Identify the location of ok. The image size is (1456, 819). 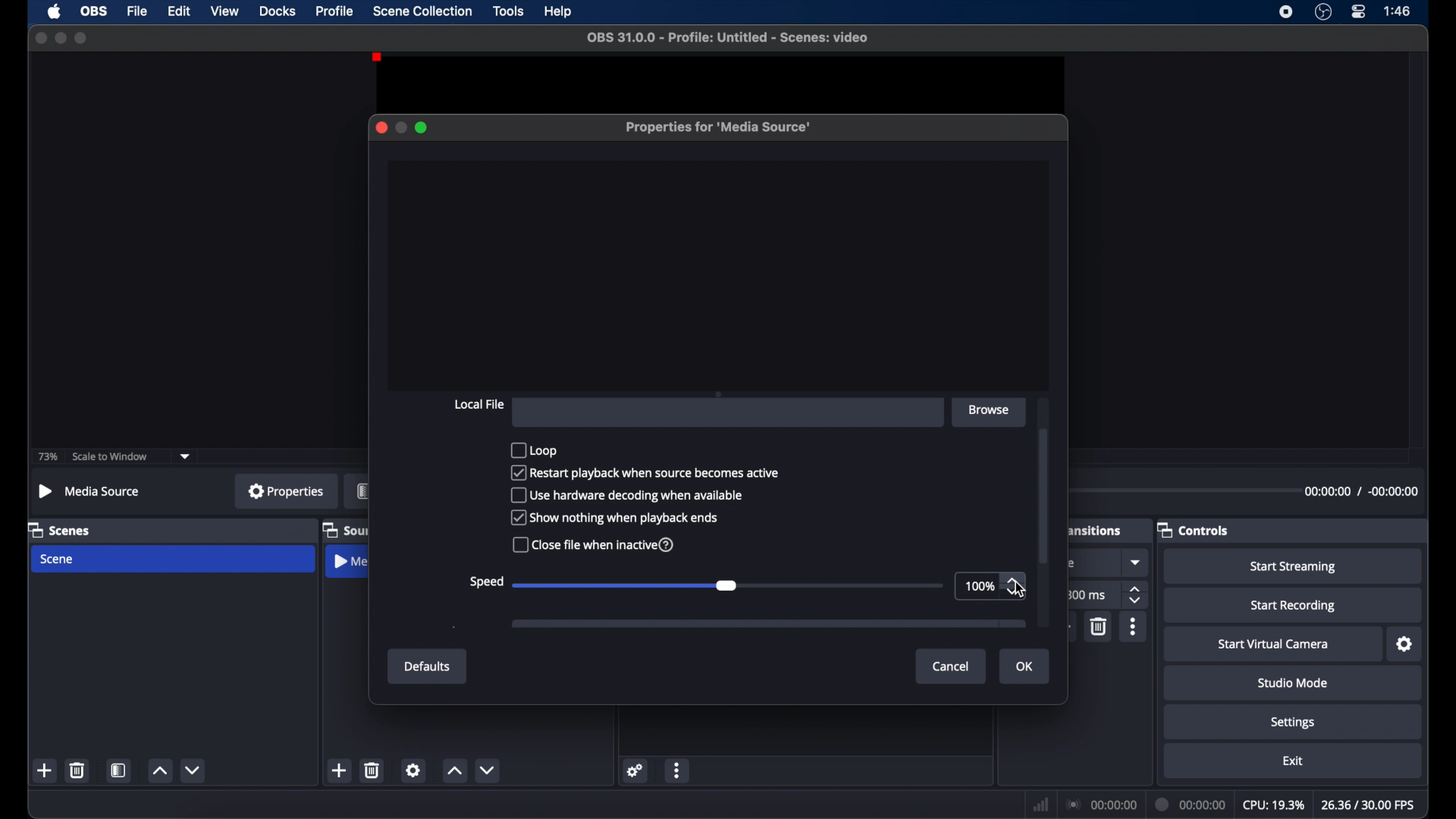
(1025, 667).